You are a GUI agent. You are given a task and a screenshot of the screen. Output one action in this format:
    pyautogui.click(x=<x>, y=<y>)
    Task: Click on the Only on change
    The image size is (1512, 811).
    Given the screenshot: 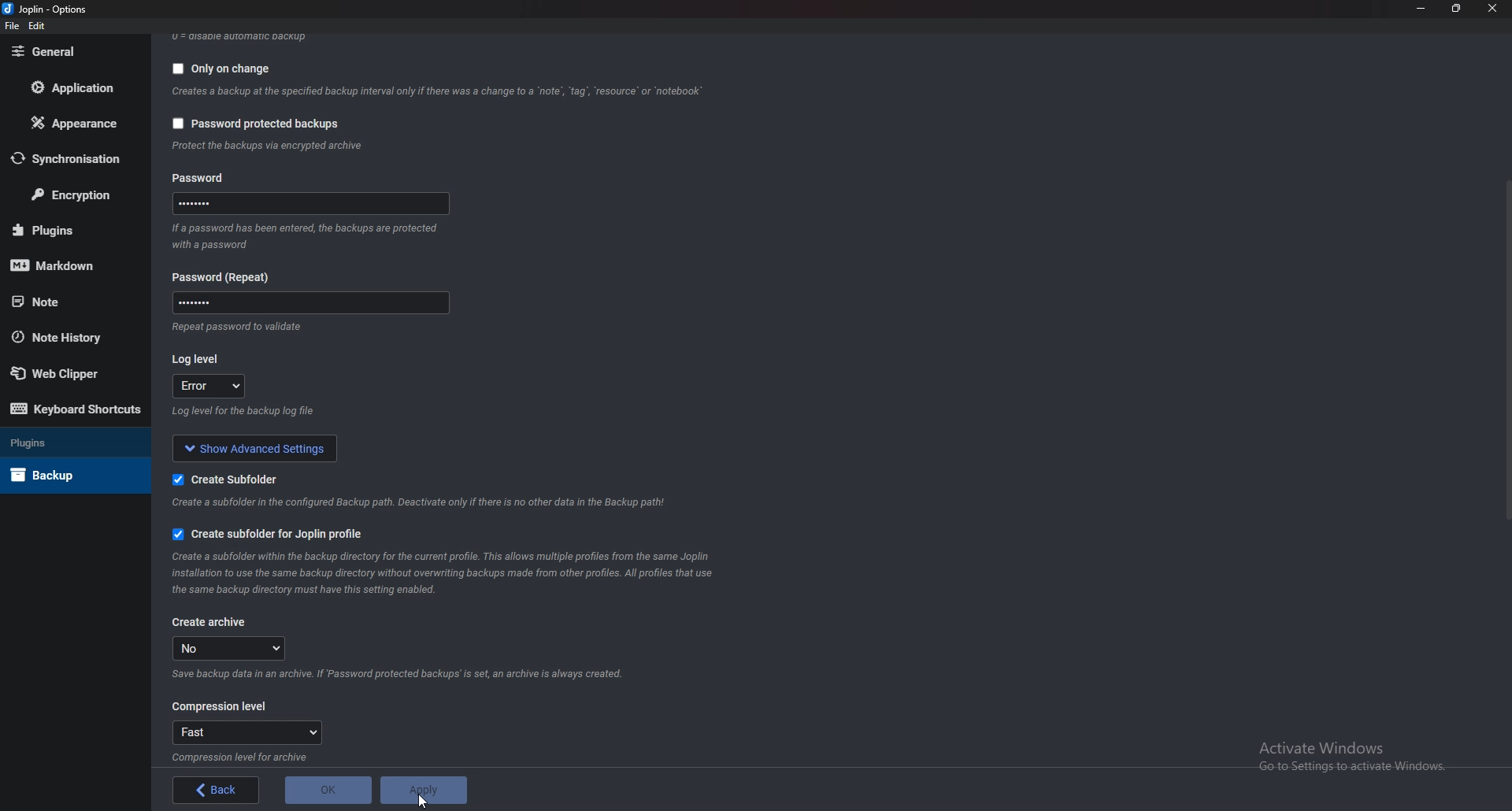 What is the action you would take?
    pyautogui.click(x=217, y=71)
    